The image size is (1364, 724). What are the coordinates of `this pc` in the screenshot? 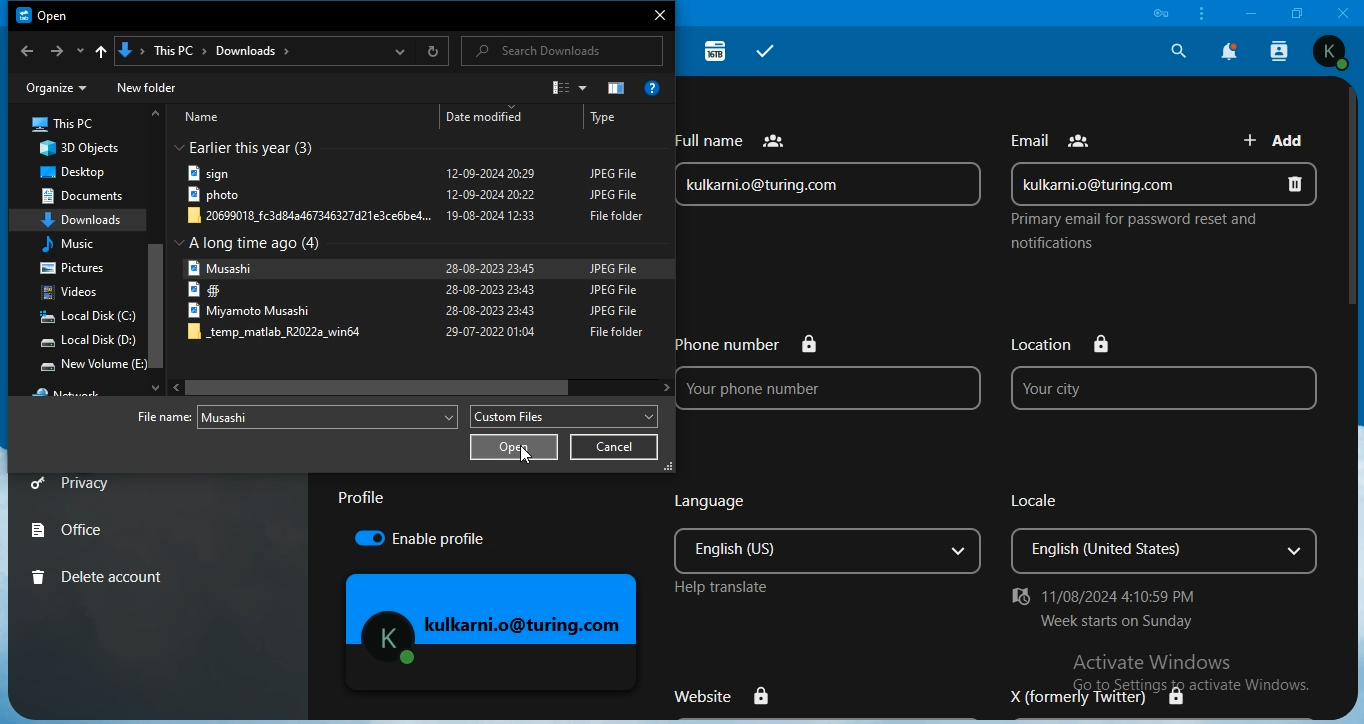 It's located at (66, 124).